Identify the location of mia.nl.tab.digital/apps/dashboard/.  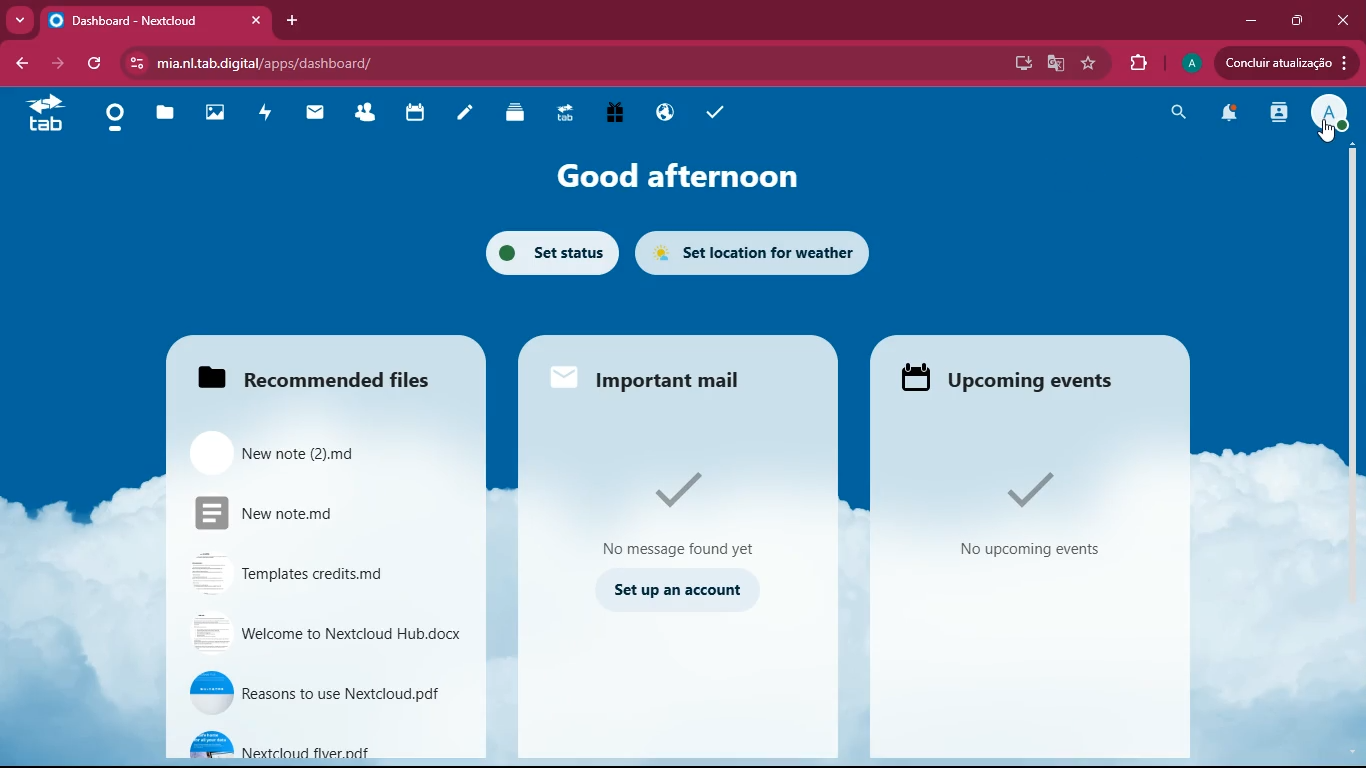
(271, 62).